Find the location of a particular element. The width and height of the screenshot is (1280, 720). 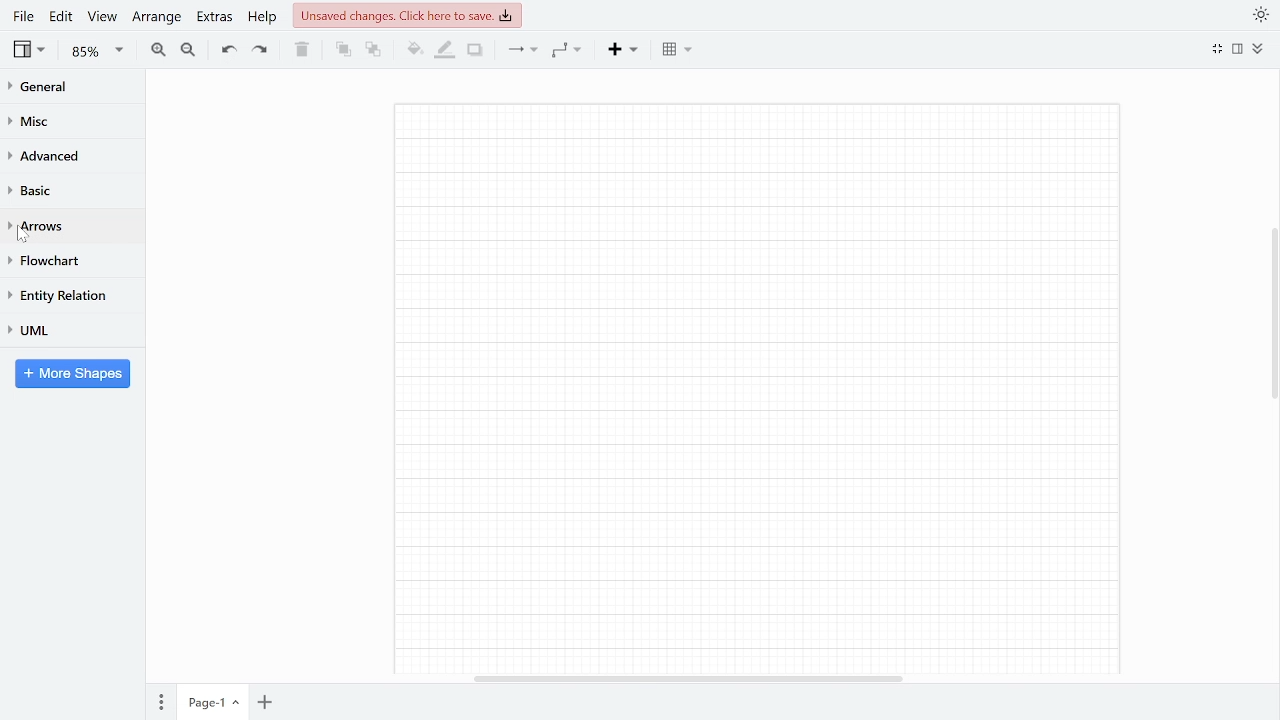

View is located at coordinates (102, 19).